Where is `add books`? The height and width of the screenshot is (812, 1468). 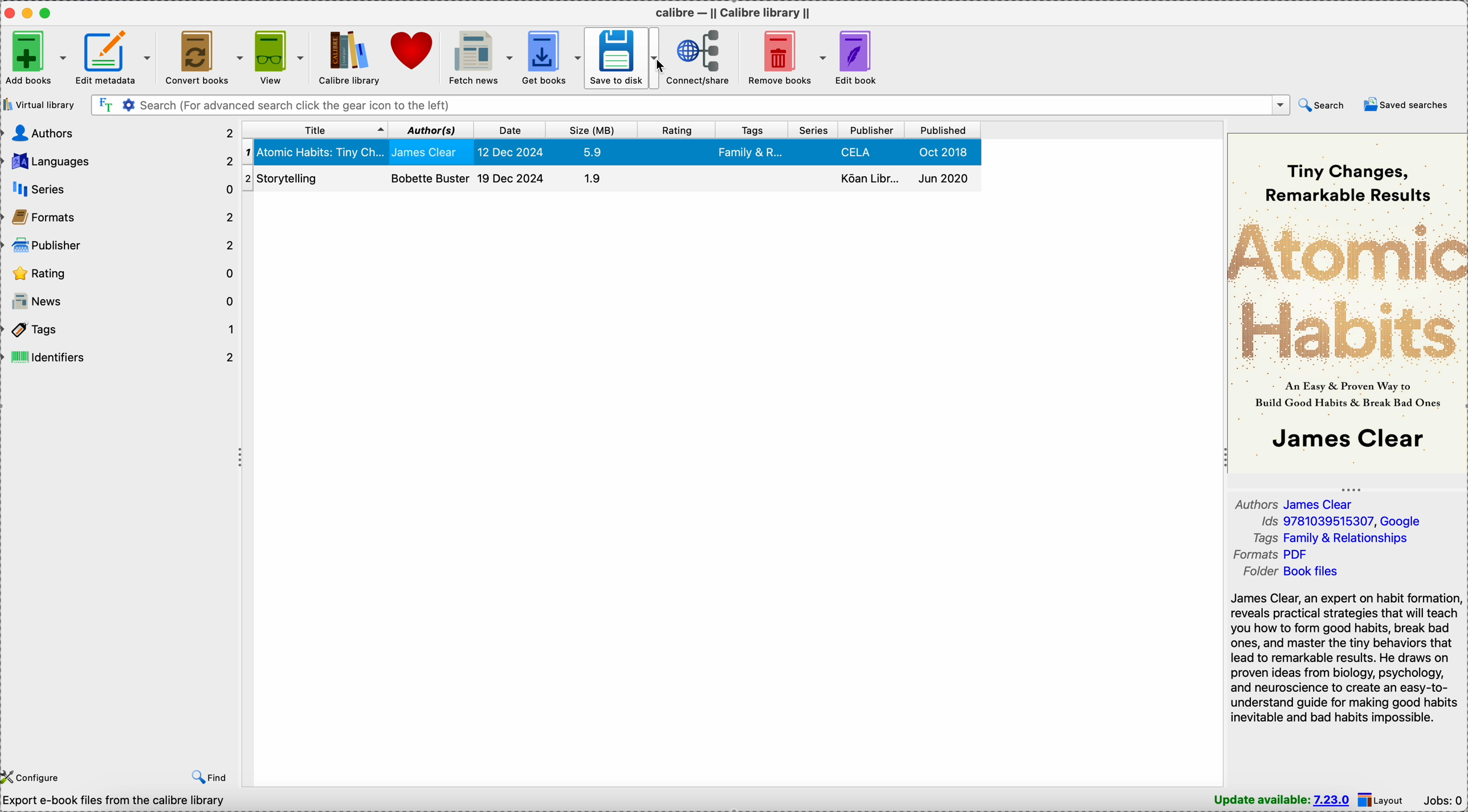 add books is located at coordinates (36, 57).